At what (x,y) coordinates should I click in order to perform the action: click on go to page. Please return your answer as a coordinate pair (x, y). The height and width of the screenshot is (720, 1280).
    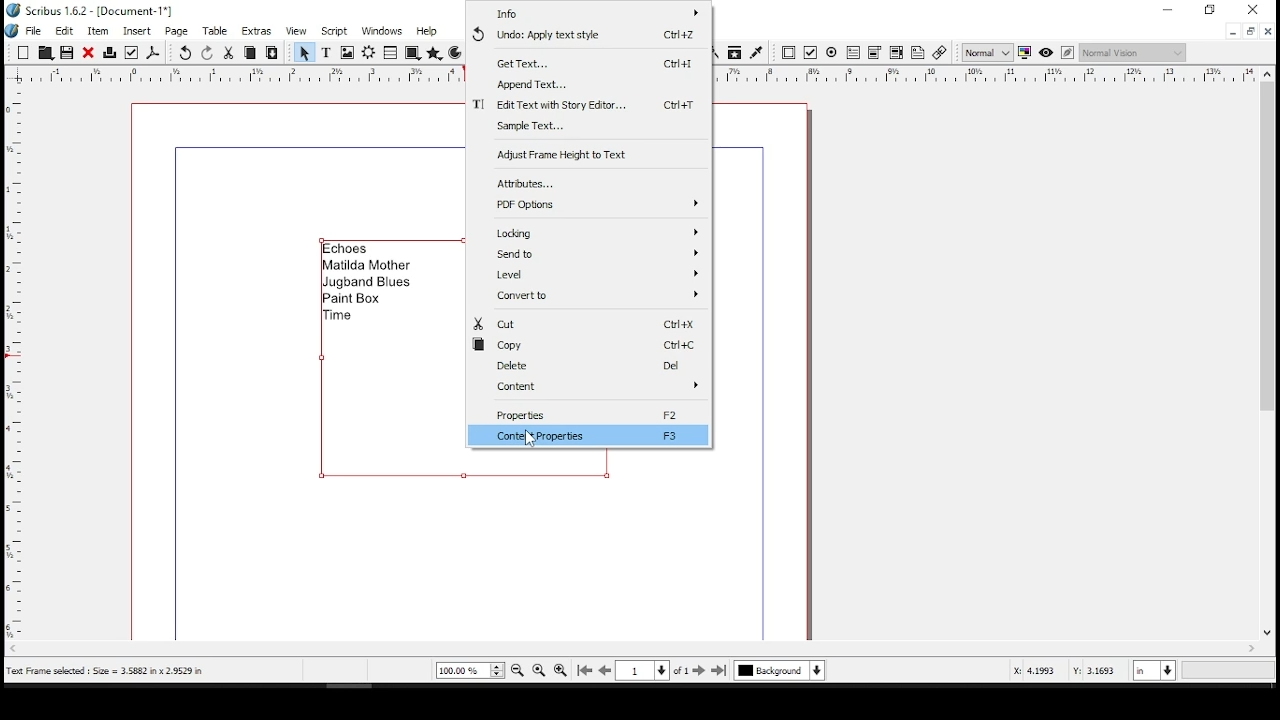
    Looking at the image, I should click on (652, 670).